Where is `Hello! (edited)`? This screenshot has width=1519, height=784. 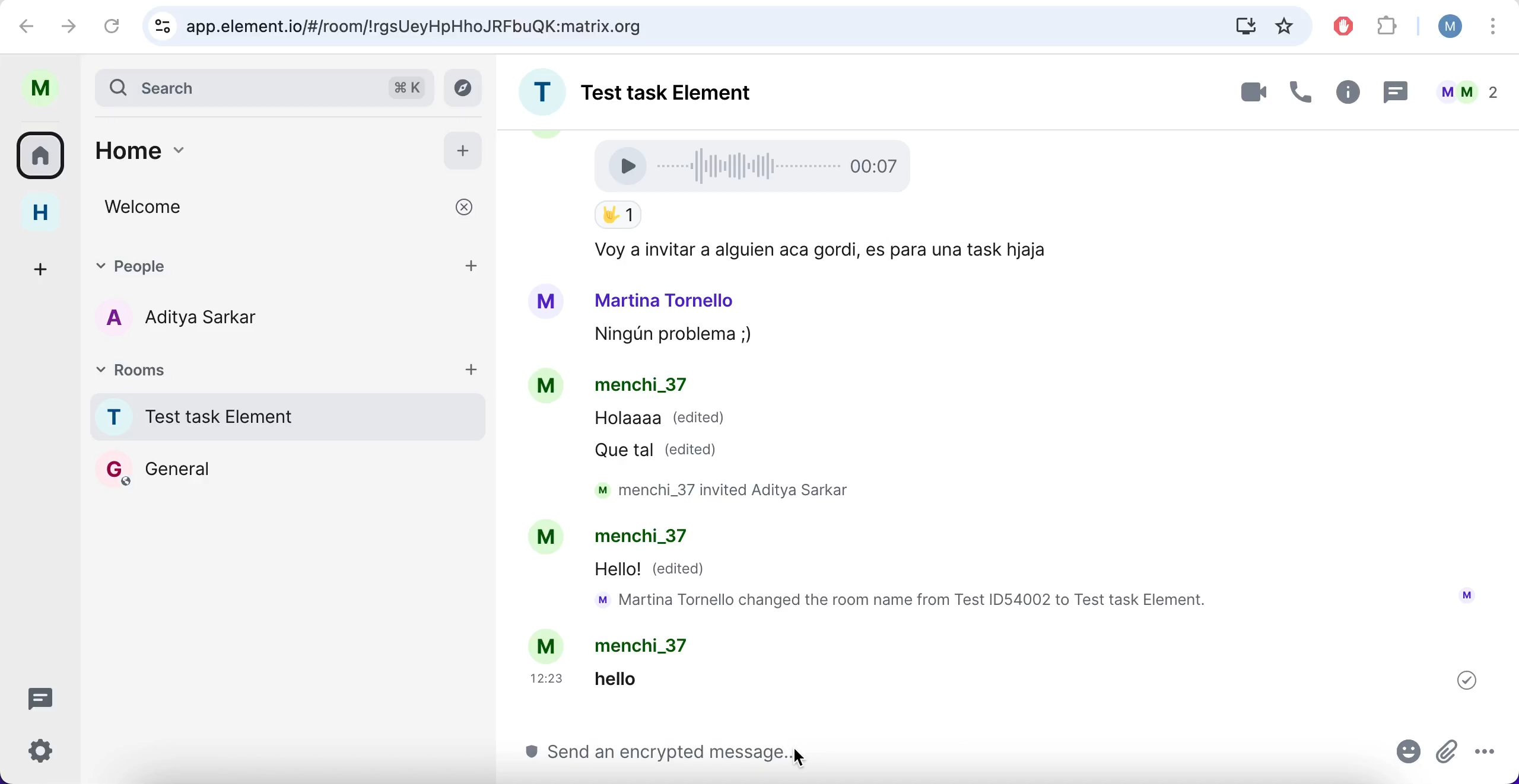
Hello! (edited) is located at coordinates (652, 571).